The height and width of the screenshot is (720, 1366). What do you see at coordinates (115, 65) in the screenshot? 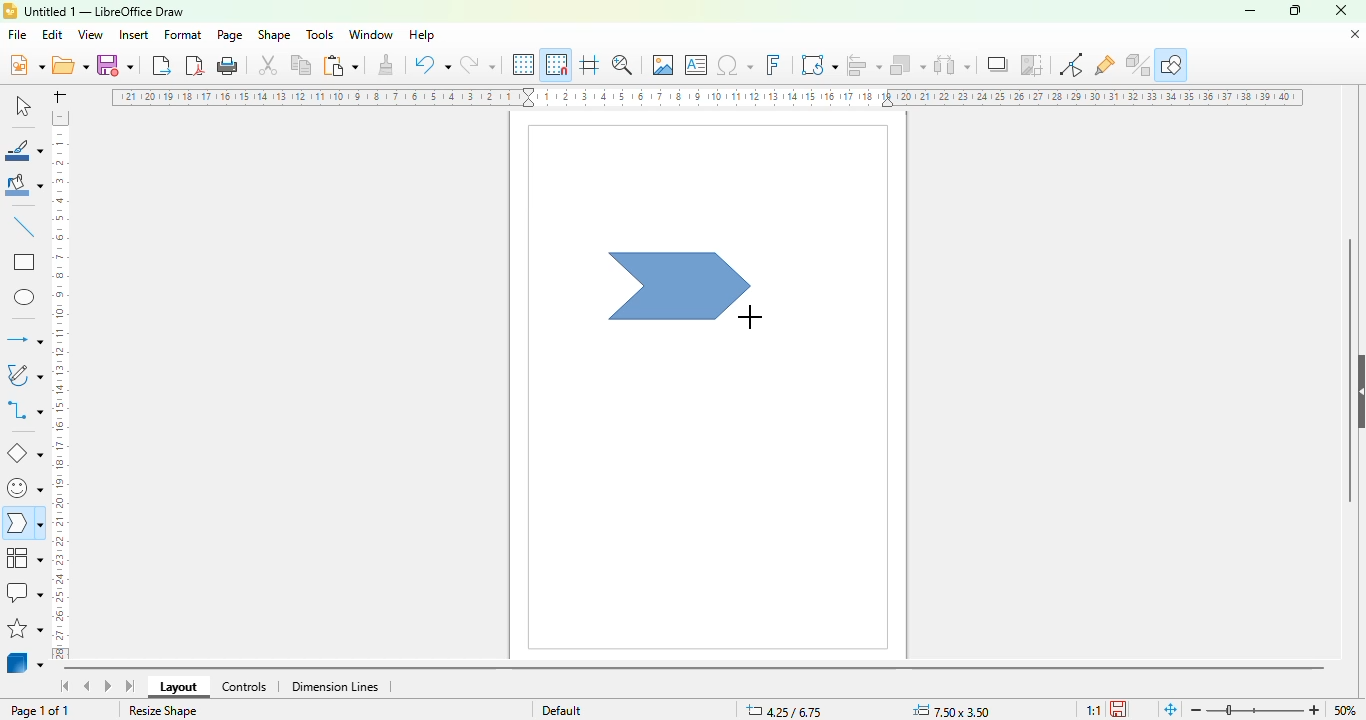
I see `save` at bounding box center [115, 65].